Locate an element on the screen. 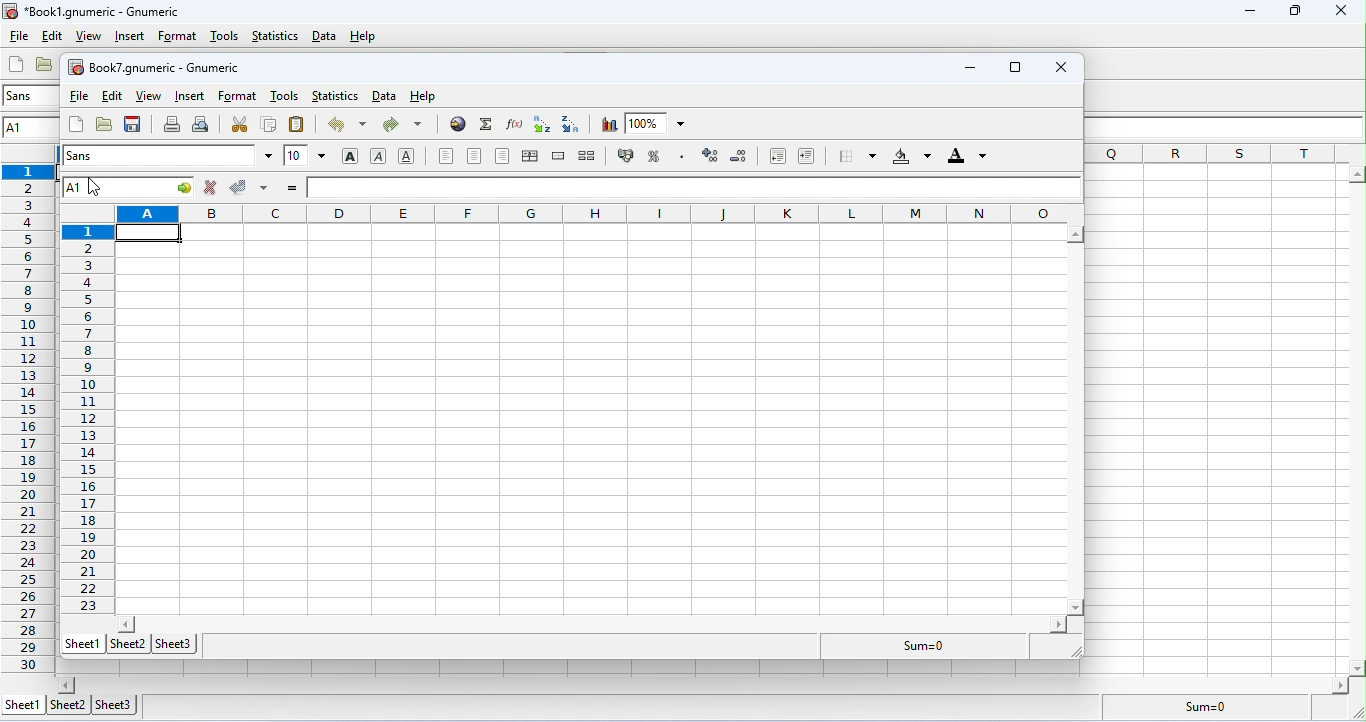 This screenshot has width=1366, height=722. minimize is located at coordinates (1249, 14).